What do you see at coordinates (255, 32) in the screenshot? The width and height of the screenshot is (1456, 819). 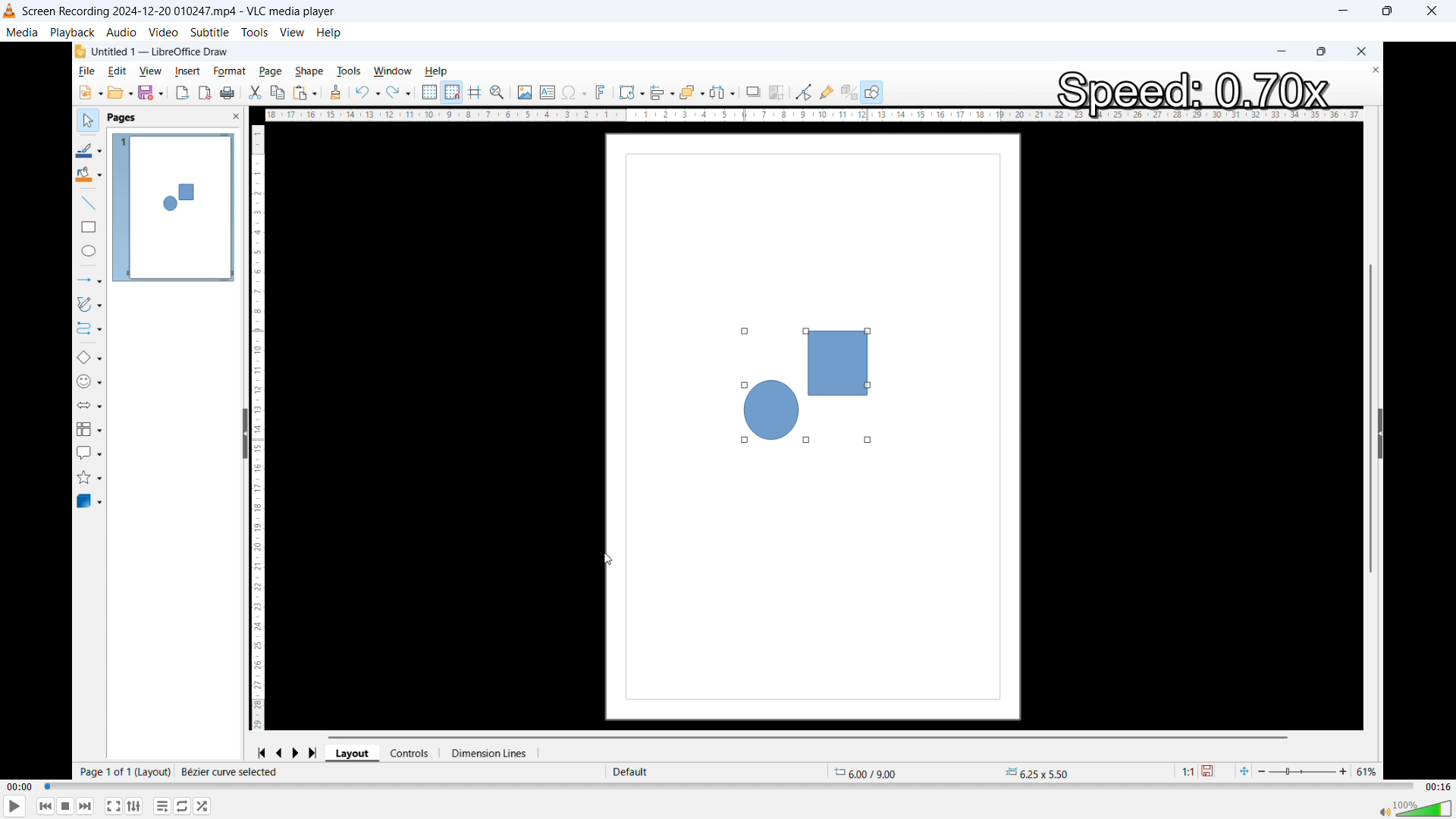 I see `Tools ` at bounding box center [255, 32].